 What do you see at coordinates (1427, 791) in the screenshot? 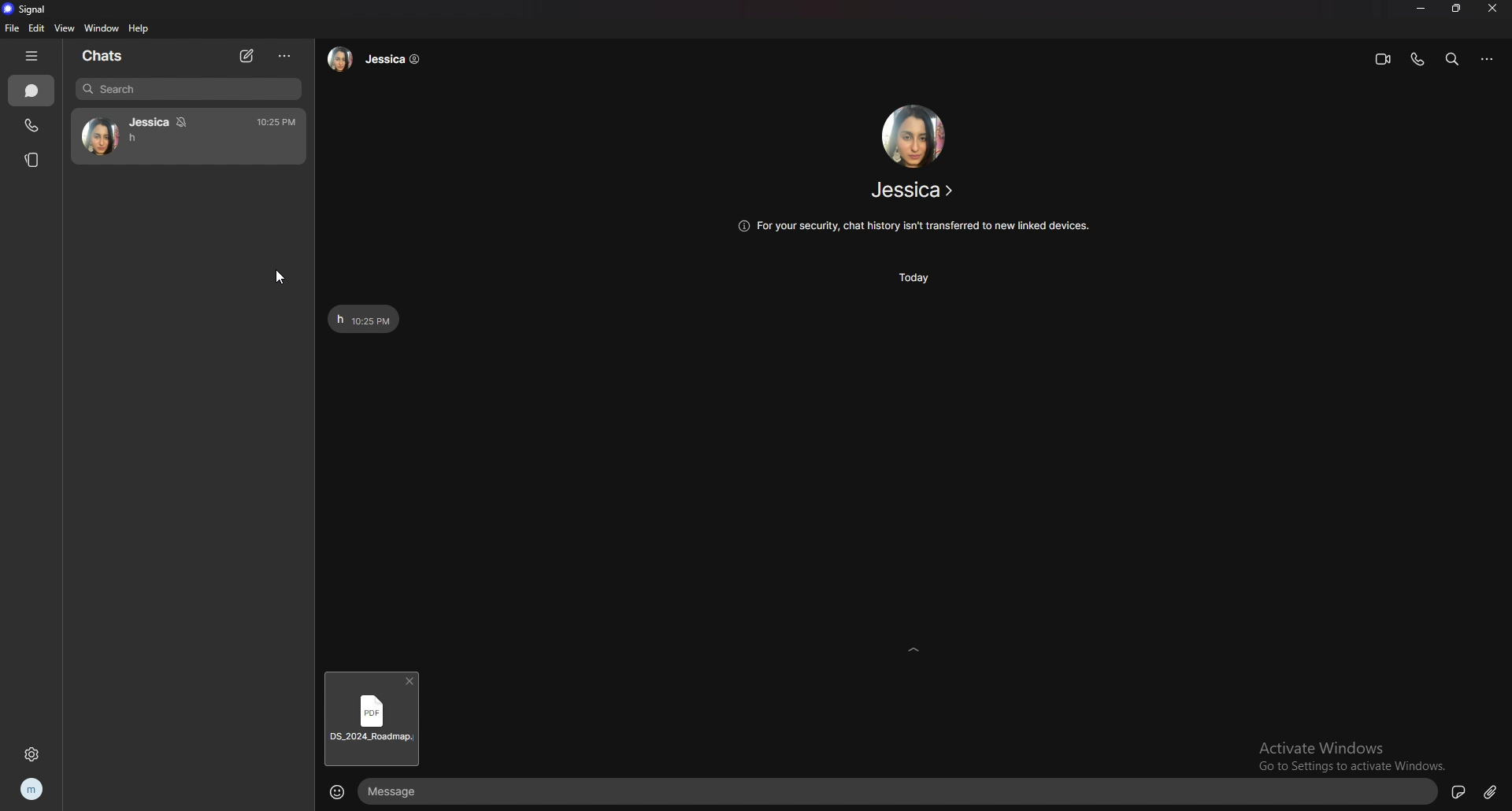
I see `sticker` at bounding box center [1427, 791].